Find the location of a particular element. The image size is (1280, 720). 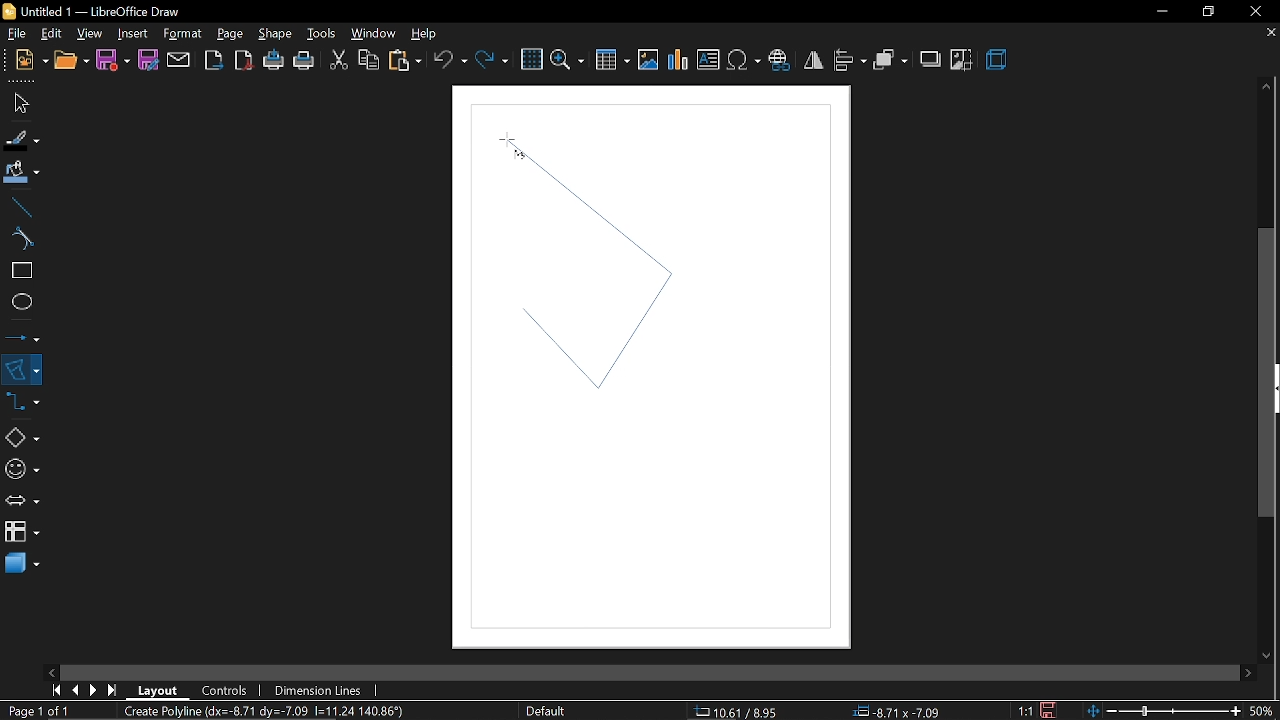

curve is located at coordinates (18, 240).